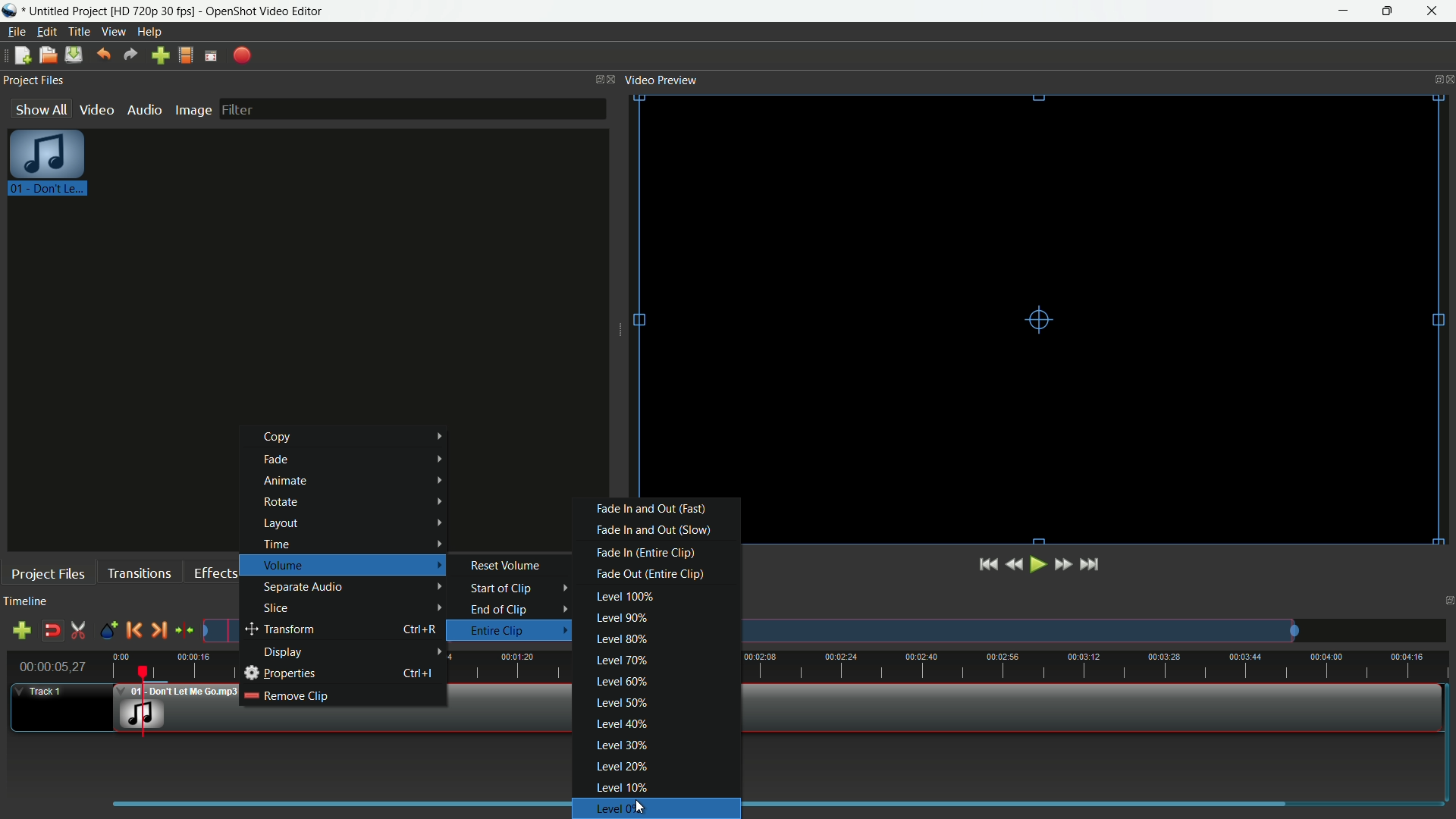 Image resolution: width=1456 pixels, height=819 pixels. Describe the element at coordinates (1057, 664) in the screenshot. I see `time` at that location.